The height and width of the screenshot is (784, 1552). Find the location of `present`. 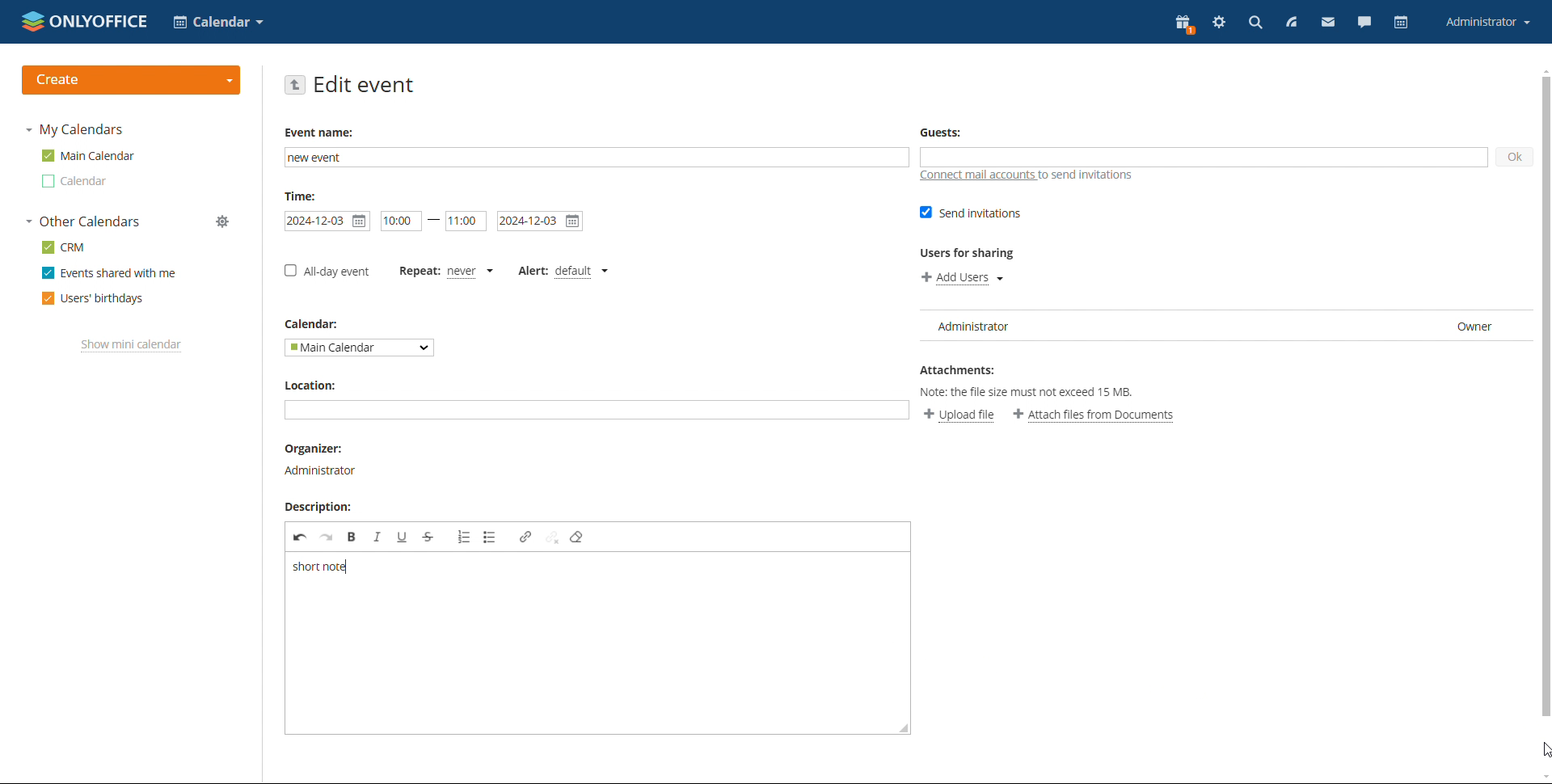

present is located at coordinates (1184, 25).